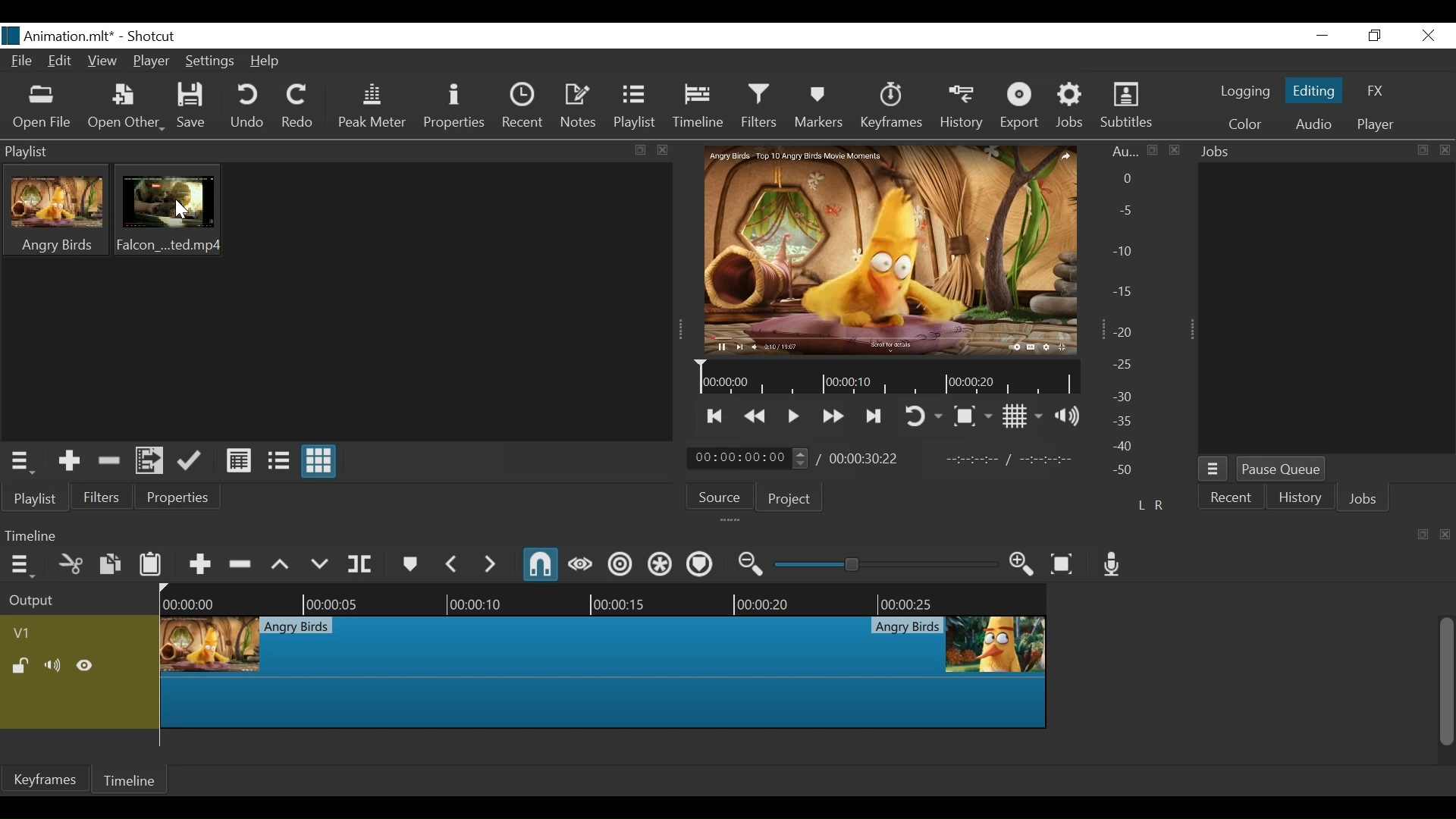  Describe the element at coordinates (451, 563) in the screenshot. I see `Previous Marker` at that location.